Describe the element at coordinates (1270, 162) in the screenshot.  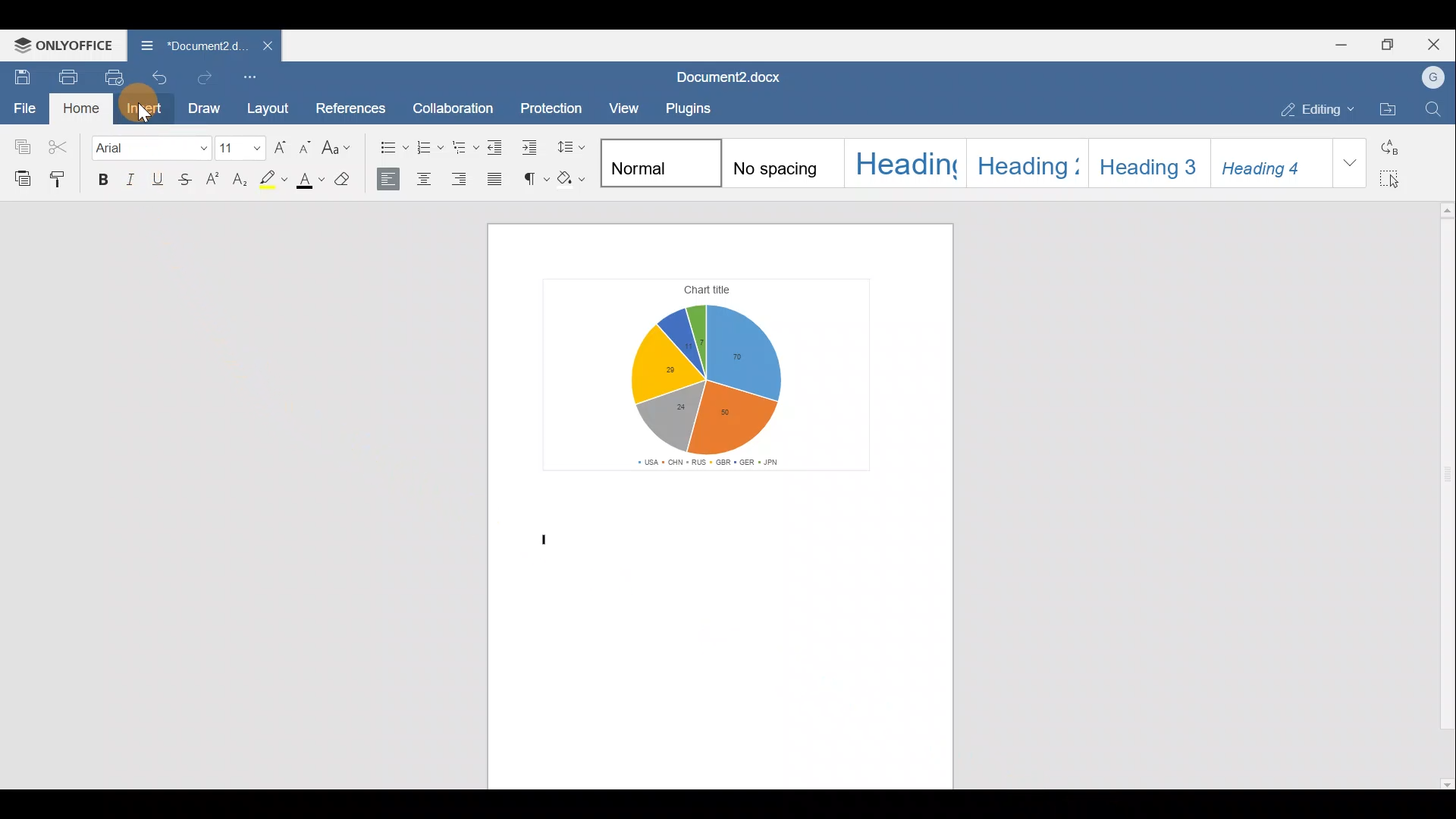
I see `Style 6` at that location.